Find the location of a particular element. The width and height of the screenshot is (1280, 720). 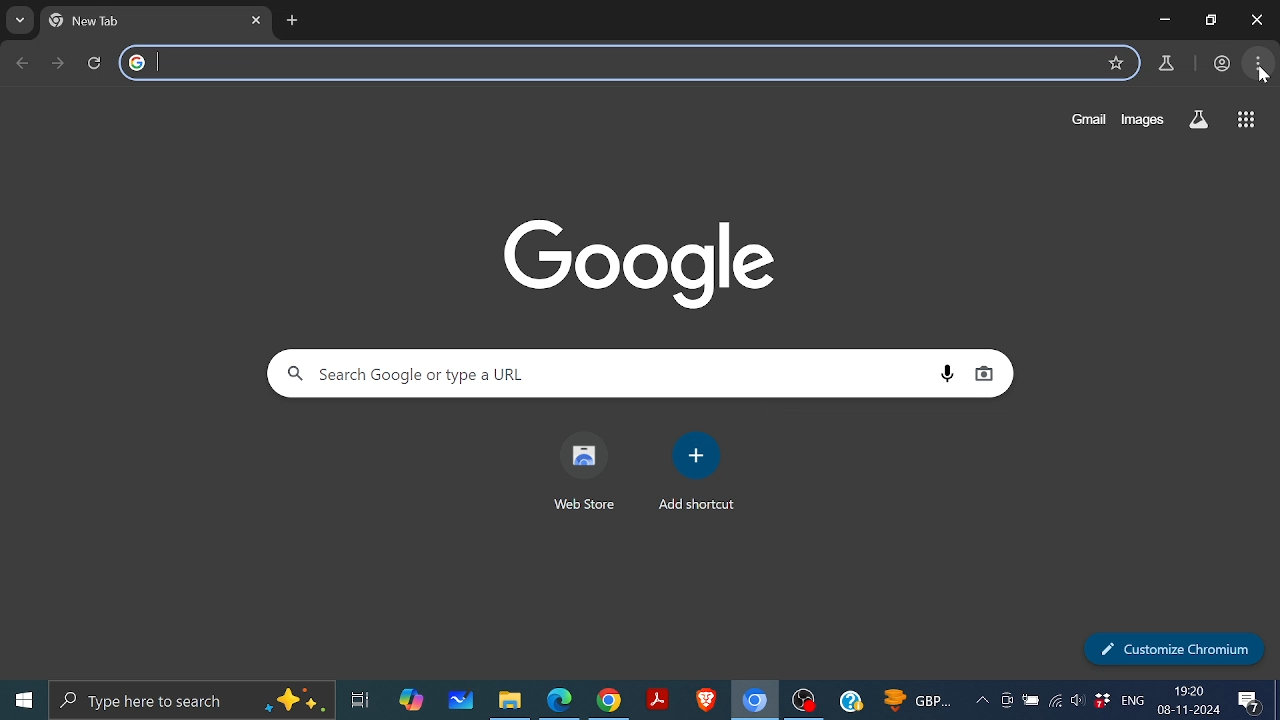

google logo is located at coordinates (142, 63).